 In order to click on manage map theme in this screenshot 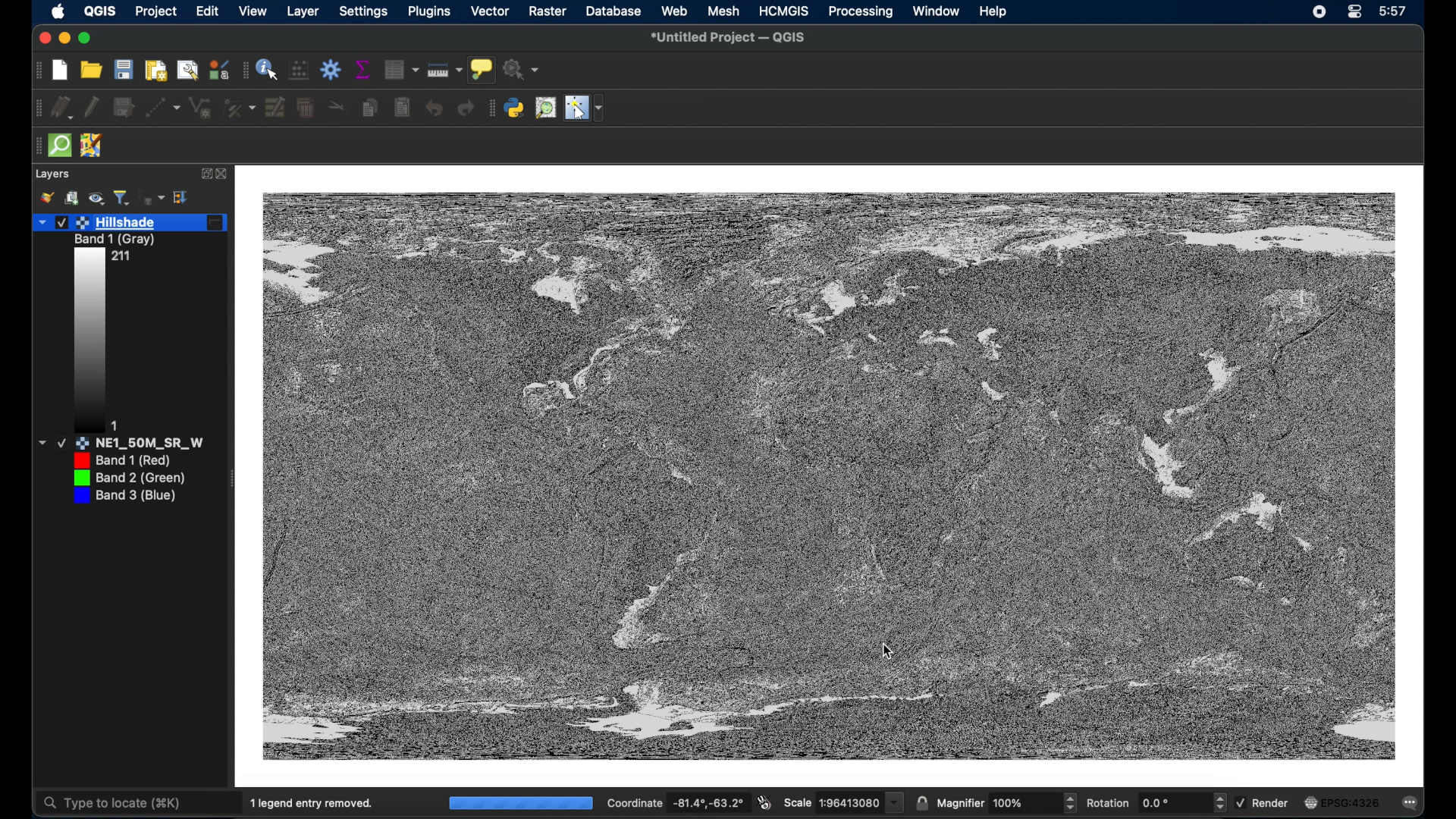, I will do `click(97, 199)`.